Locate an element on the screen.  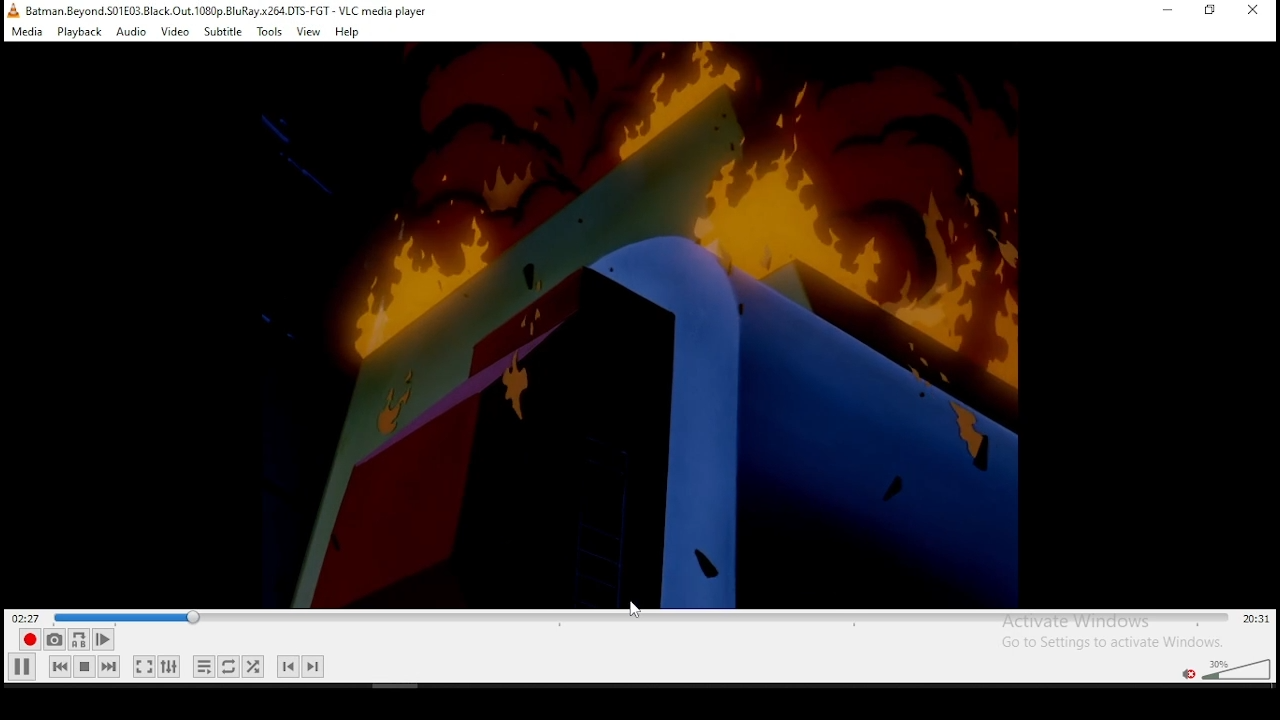
minimize is located at coordinates (1167, 10).